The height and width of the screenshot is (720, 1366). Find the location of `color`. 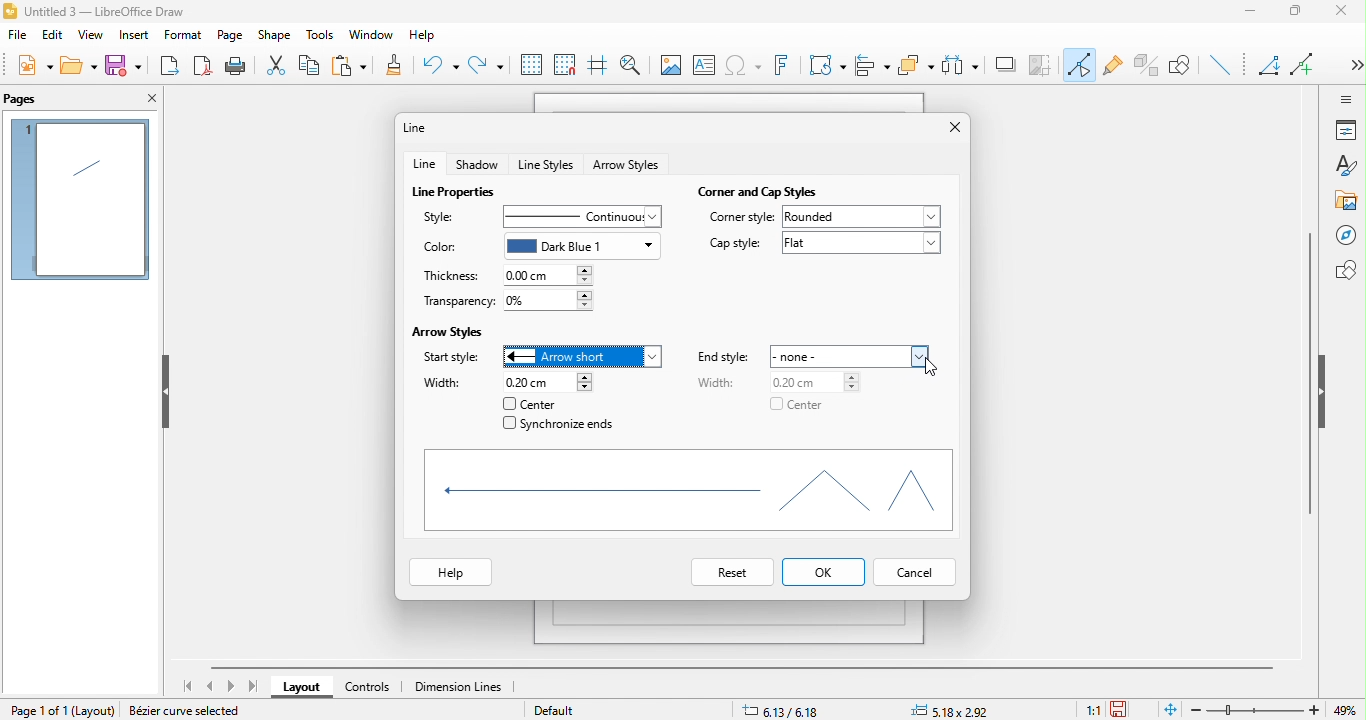

color is located at coordinates (440, 248).